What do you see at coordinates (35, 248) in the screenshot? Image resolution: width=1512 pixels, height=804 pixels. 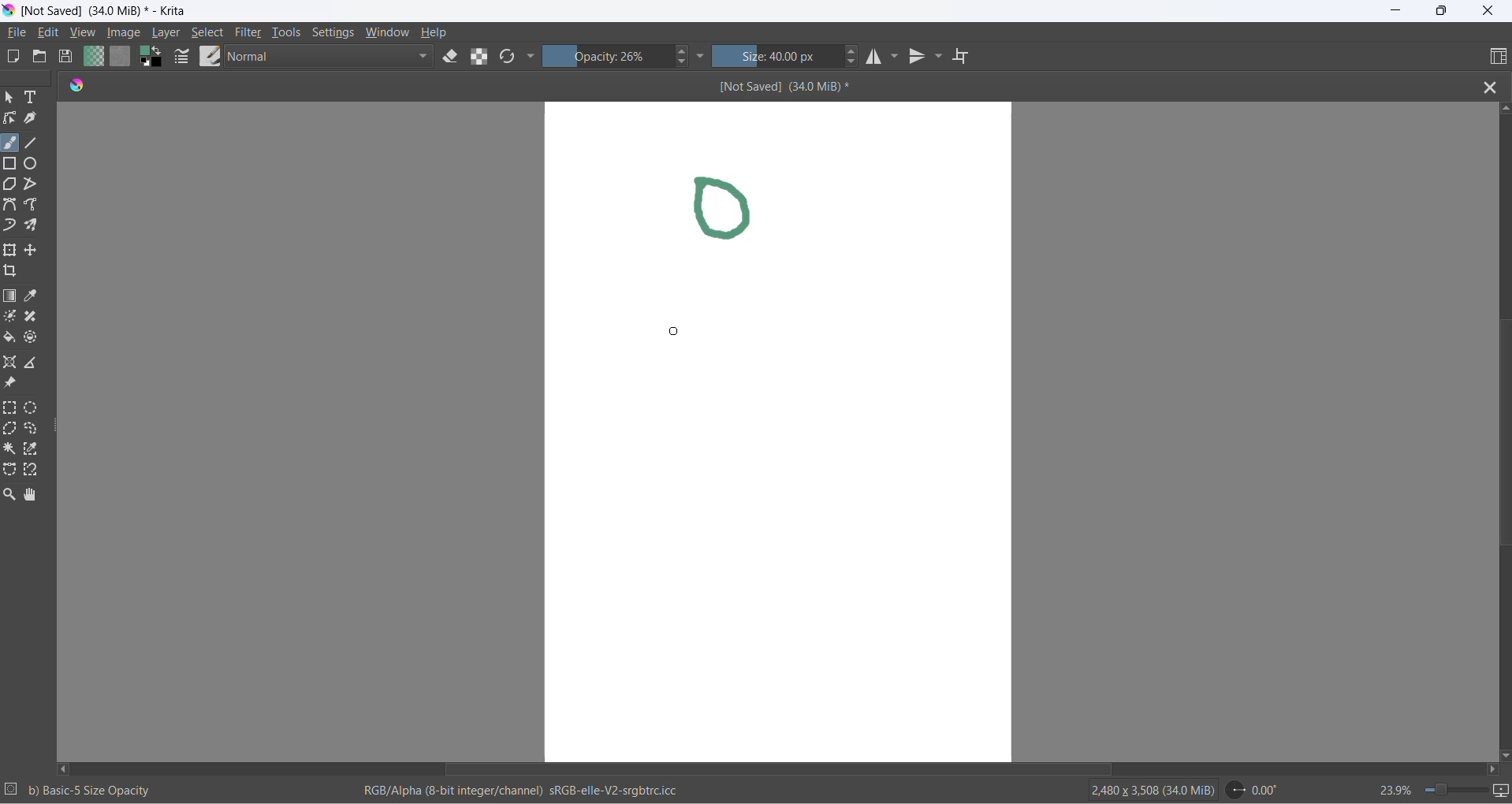 I see `move a layer` at bounding box center [35, 248].